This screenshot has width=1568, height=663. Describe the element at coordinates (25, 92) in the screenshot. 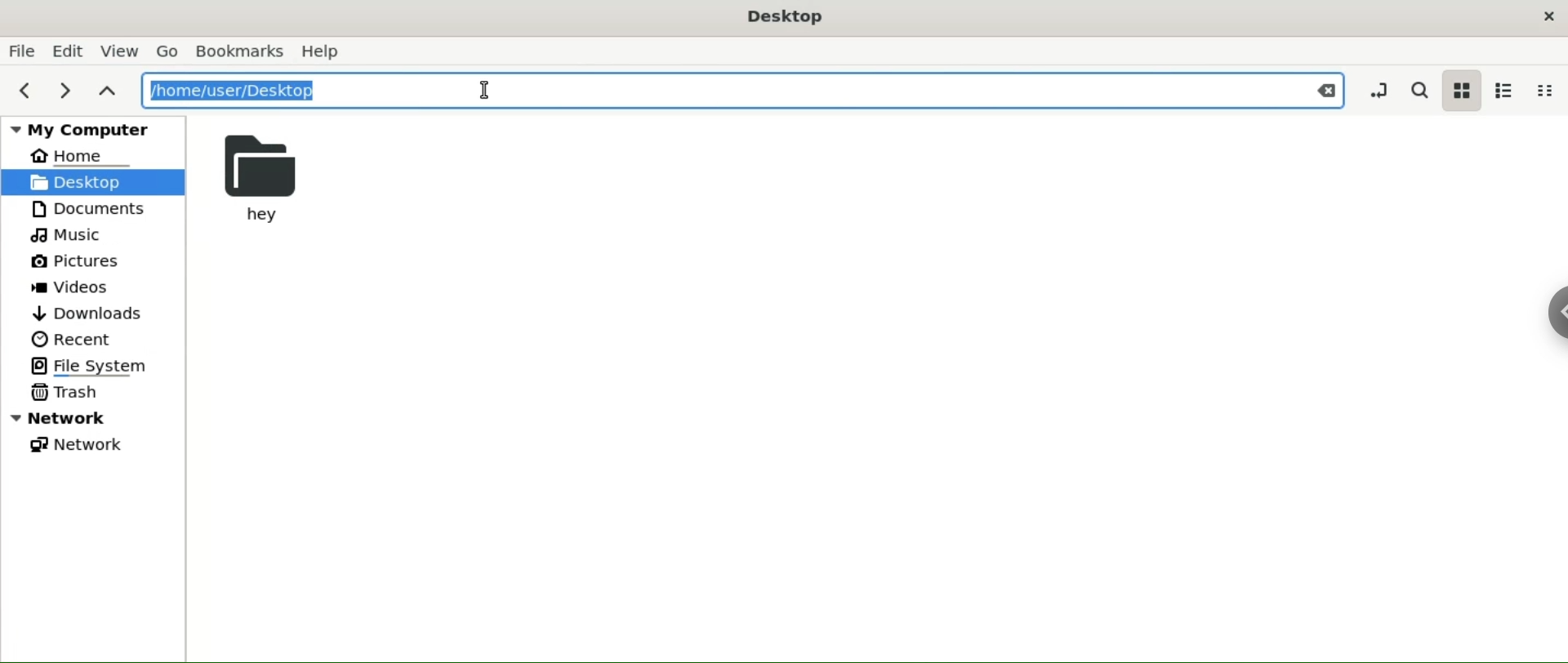

I see `previous` at that location.